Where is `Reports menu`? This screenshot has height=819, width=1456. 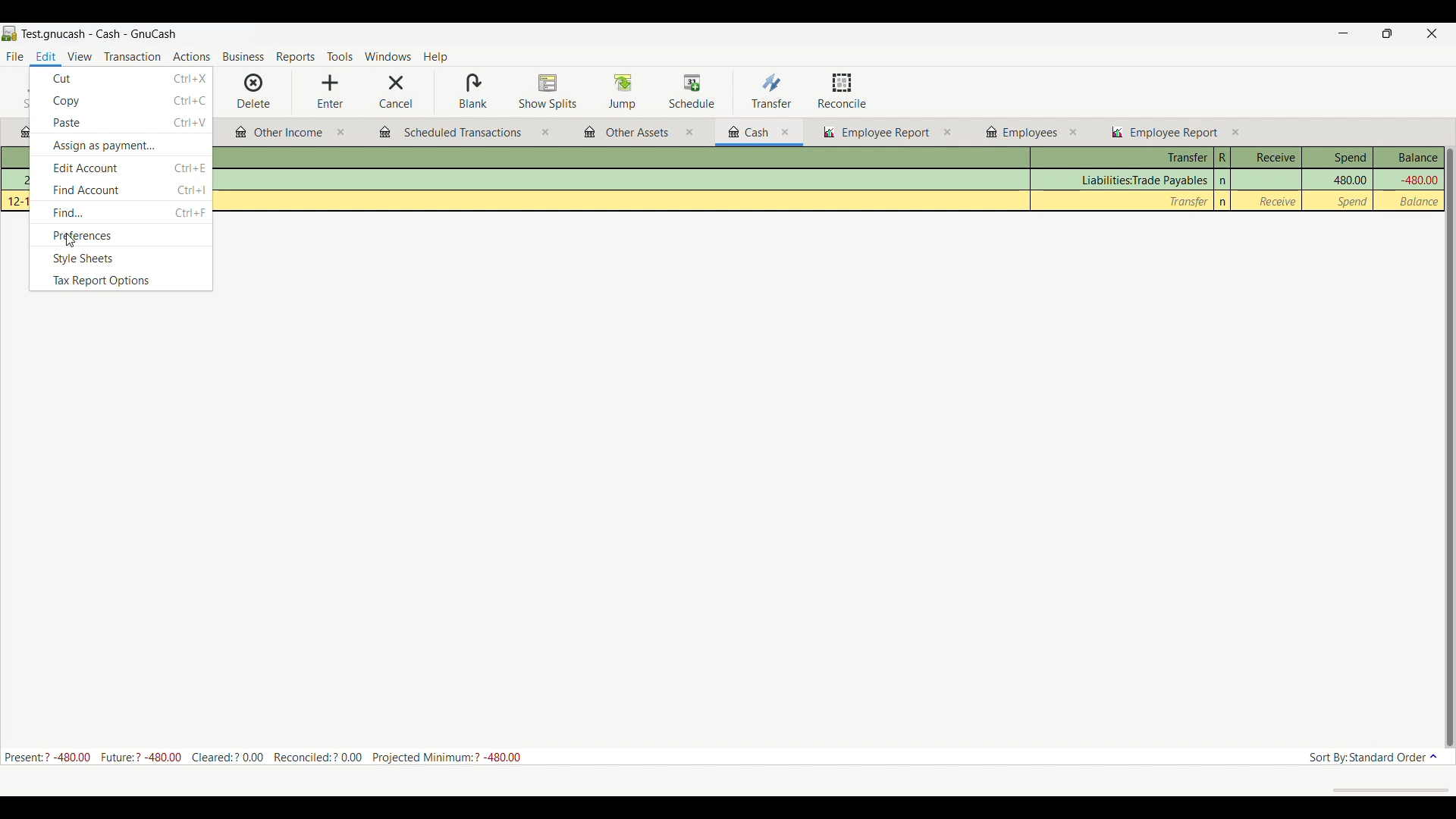 Reports menu is located at coordinates (296, 57).